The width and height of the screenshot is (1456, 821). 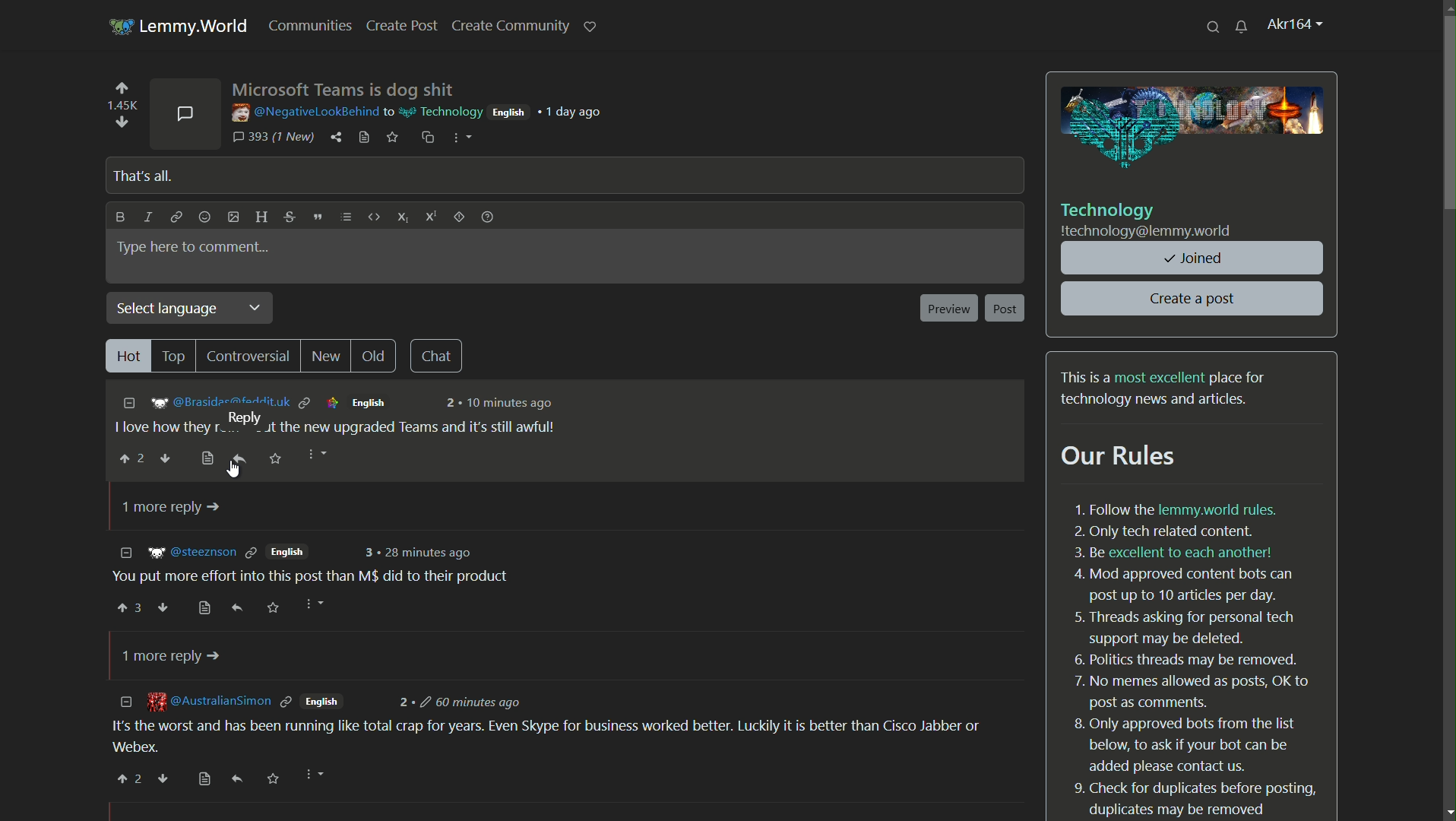 What do you see at coordinates (459, 138) in the screenshot?
I see `more options` at bounding box center [459, 138].